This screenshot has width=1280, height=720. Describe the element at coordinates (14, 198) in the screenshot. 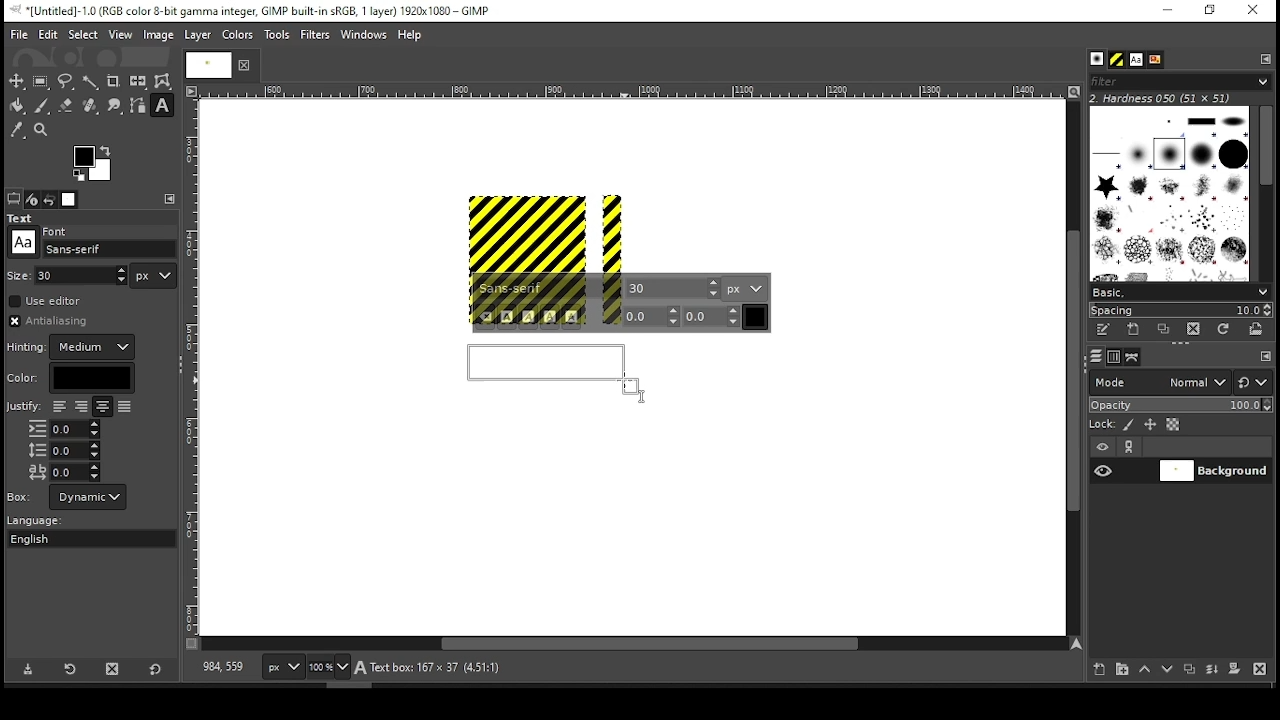

I see `tool options` at that location.